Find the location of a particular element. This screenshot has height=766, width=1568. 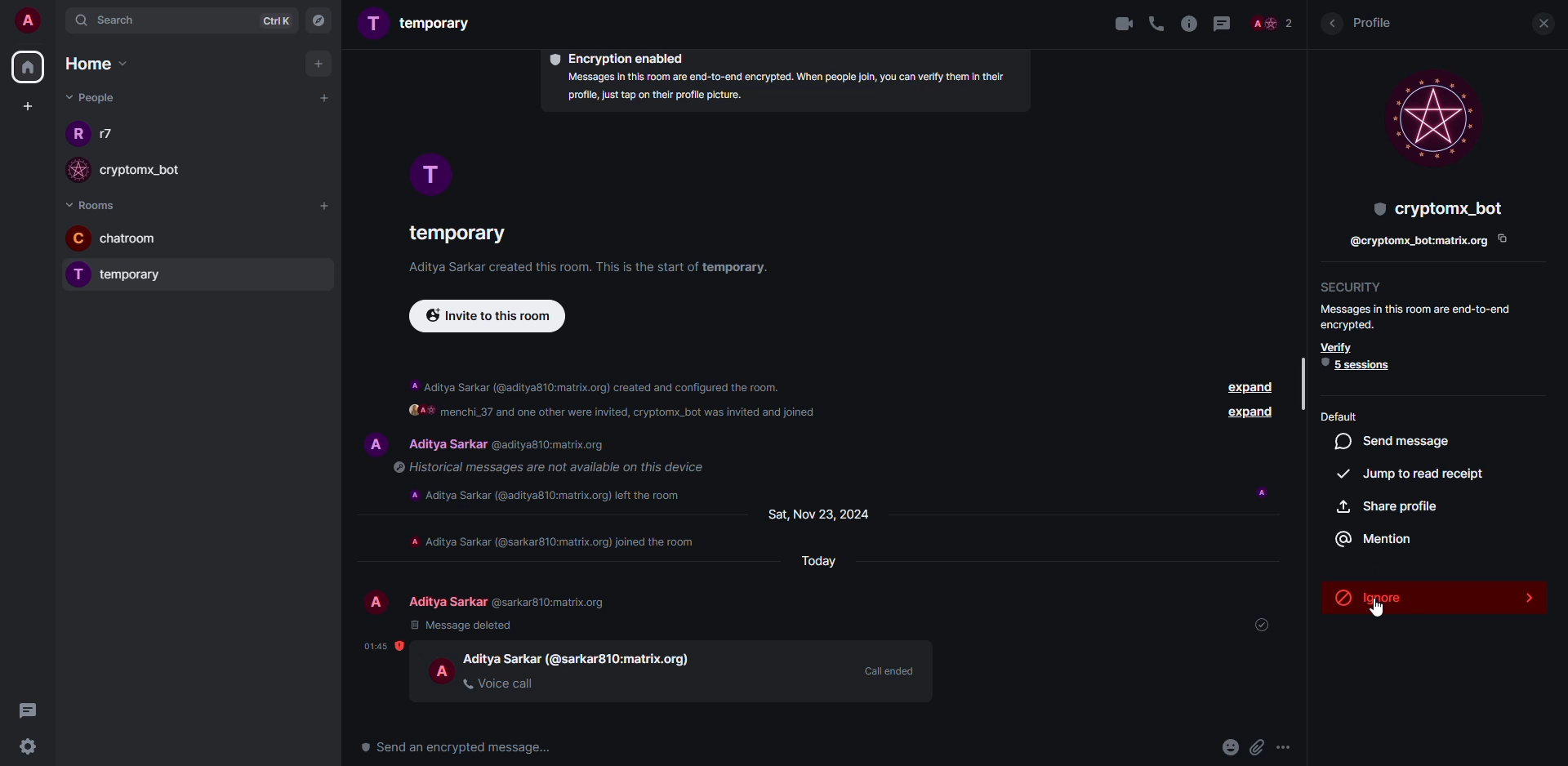

navigator is located at coordinates (320, 20).